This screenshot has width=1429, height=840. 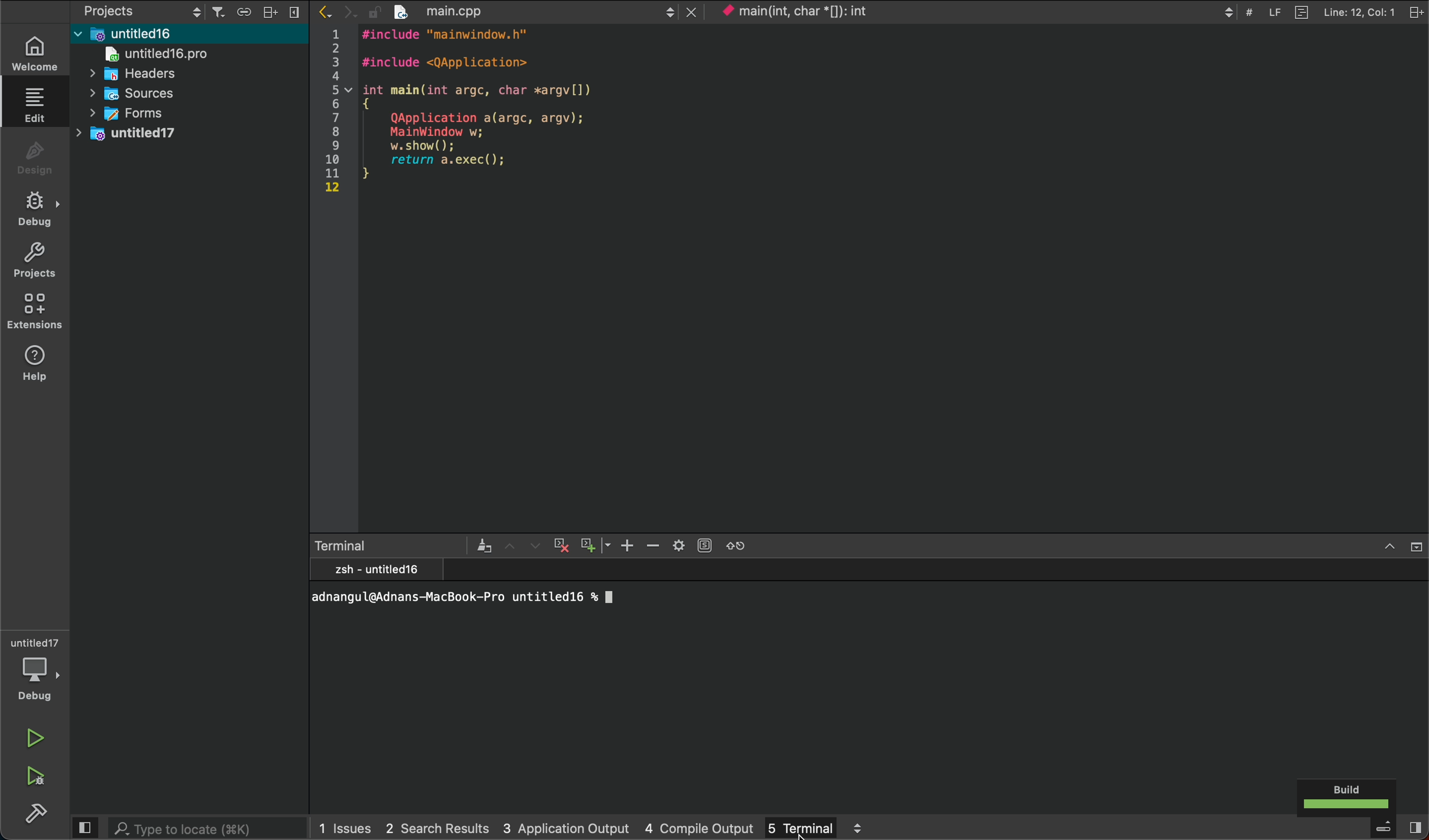 I want to click on filter, so click(x=219, y=12).